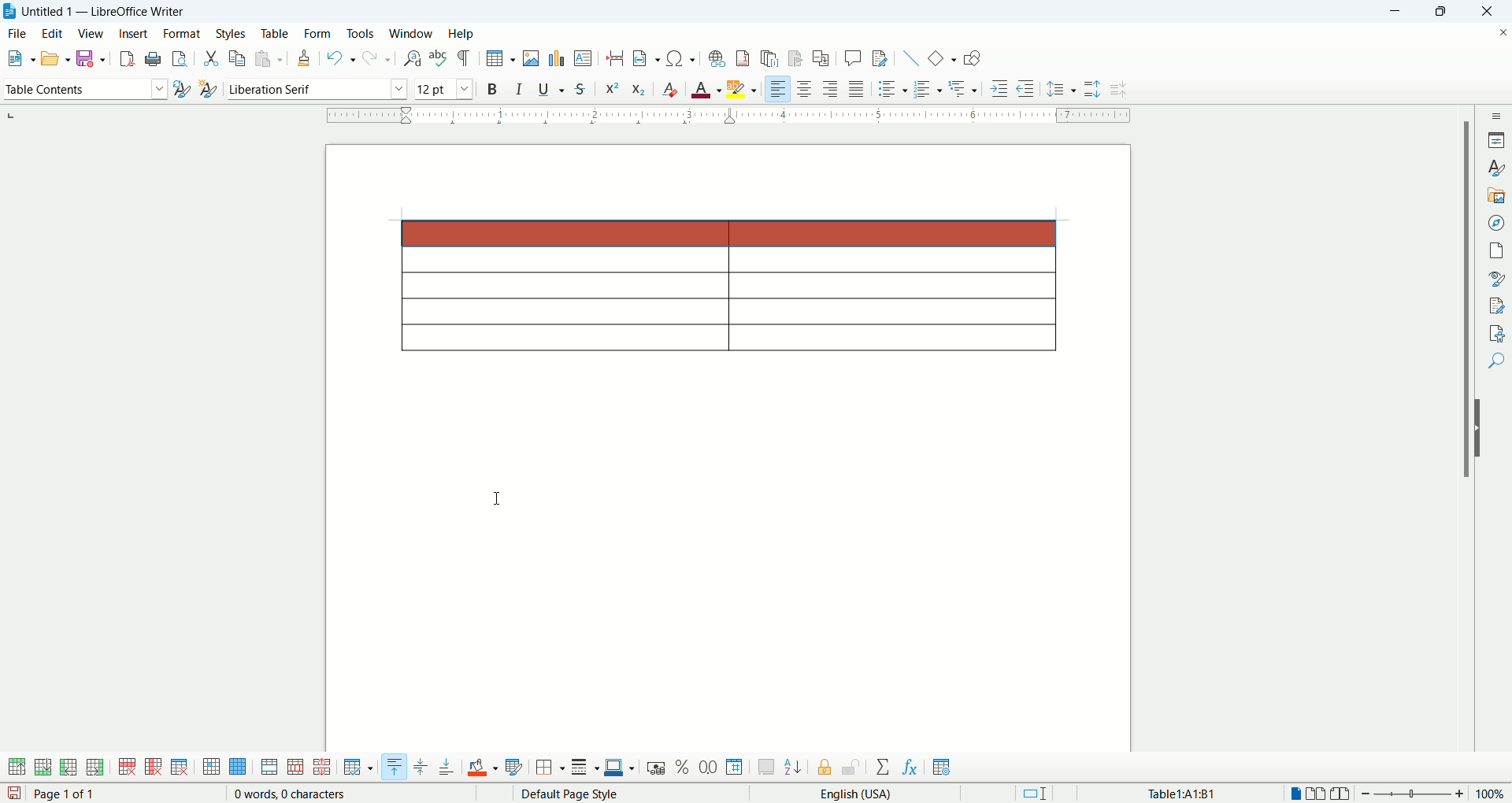 The image size is (1512, 803). What do you see at coordinates (1462, 442) in the screenshot?
I see `vertical scroll bar` at bounding box center [1462, 442].